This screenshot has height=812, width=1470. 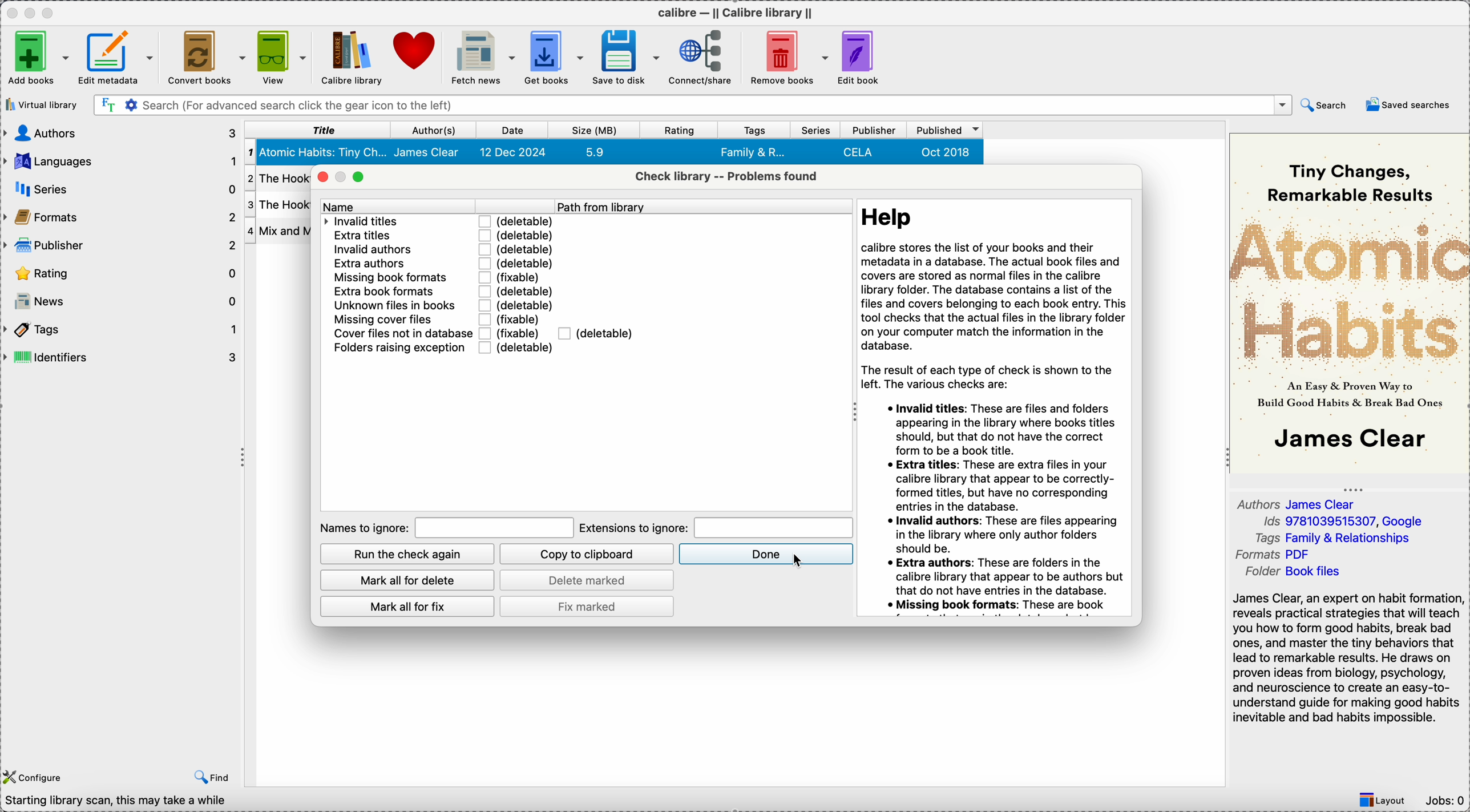 I want to click on publisher, so click(x=120, y=244).